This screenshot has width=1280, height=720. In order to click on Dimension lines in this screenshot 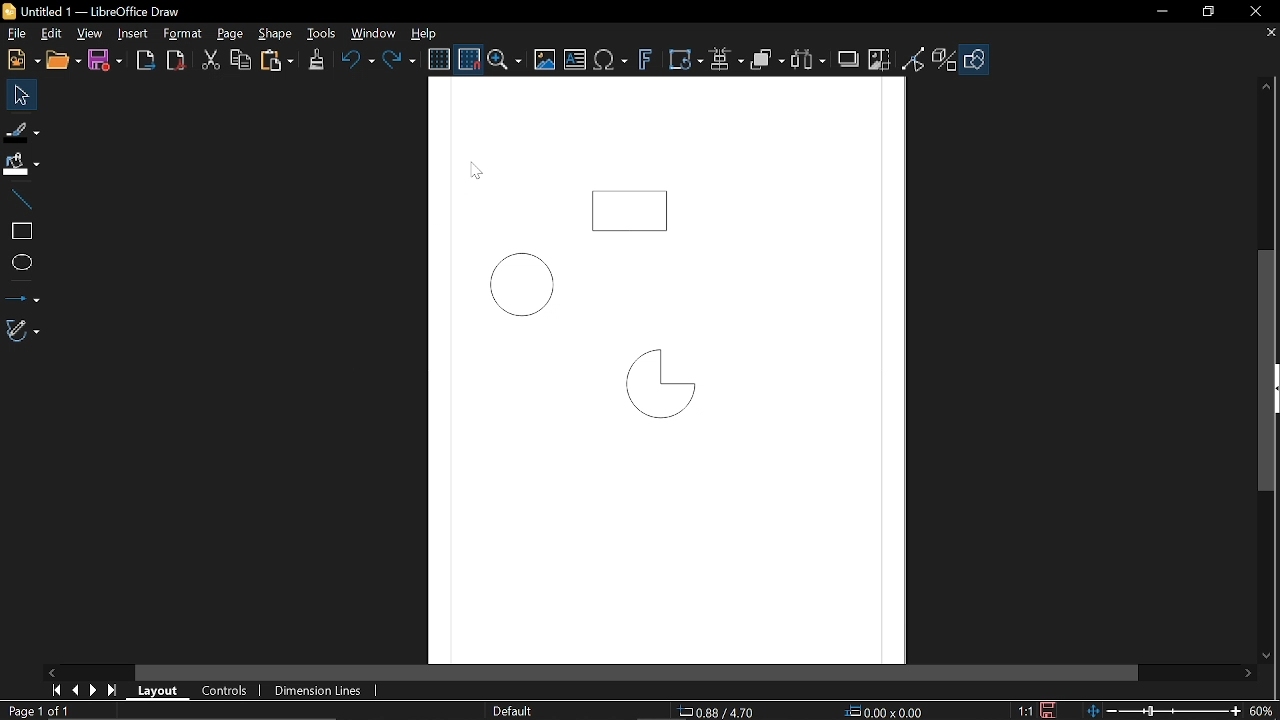, I will do `click(319, 691)`.